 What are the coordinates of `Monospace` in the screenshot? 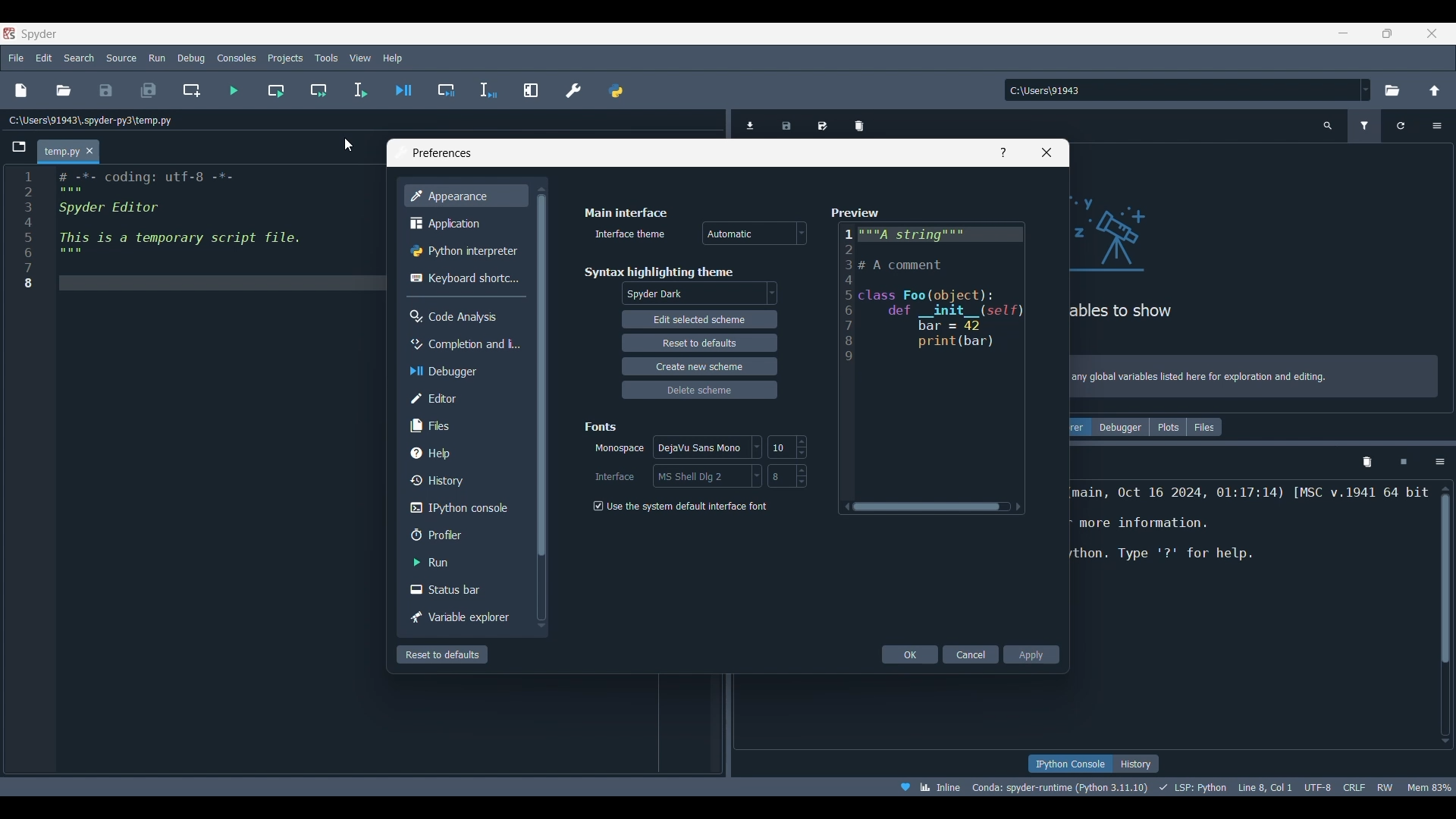 It's located at (619, 447).